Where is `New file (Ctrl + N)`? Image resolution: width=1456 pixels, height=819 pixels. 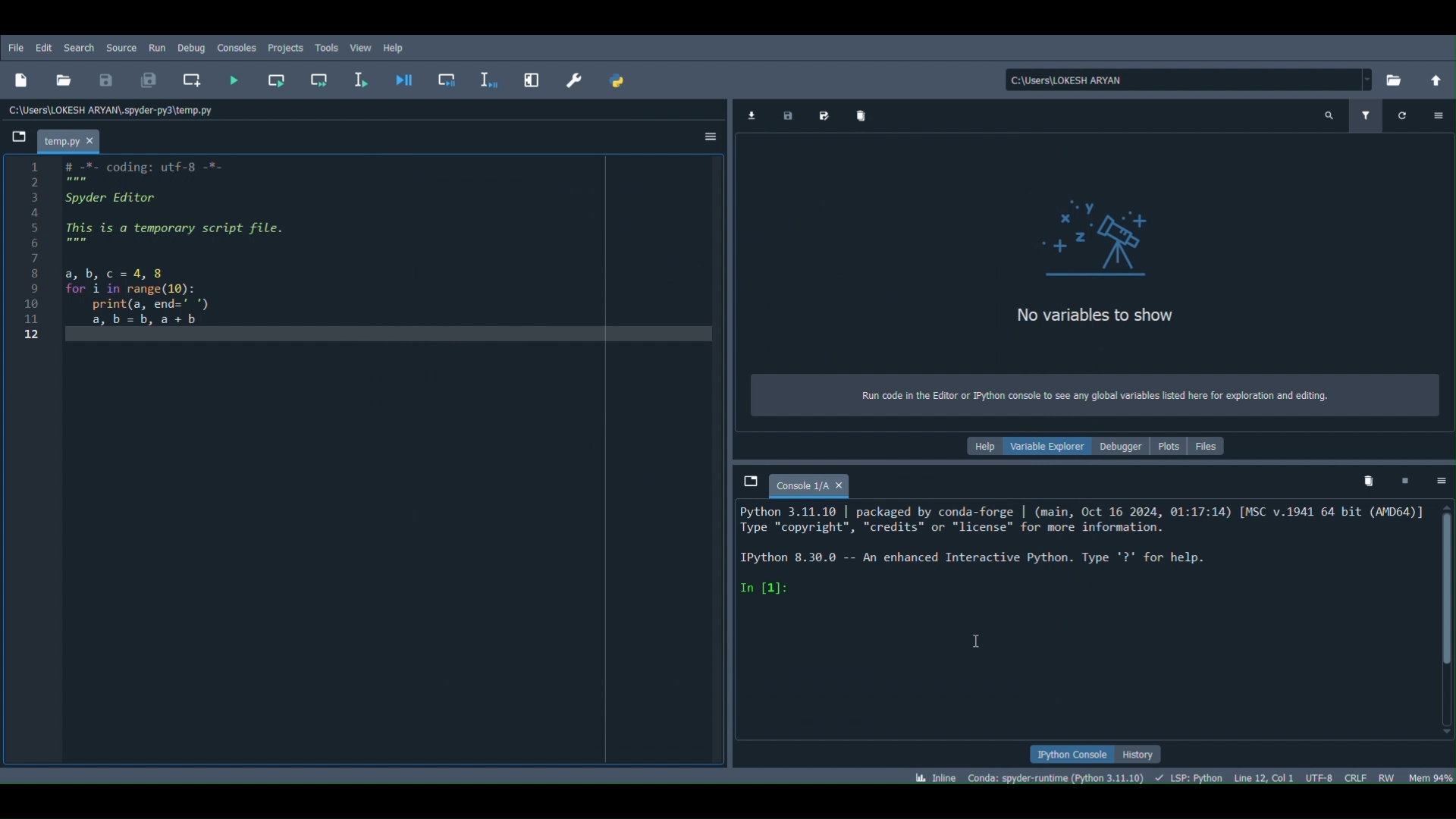 New file (Ctrl + N) is located at coordinates (26, 77).